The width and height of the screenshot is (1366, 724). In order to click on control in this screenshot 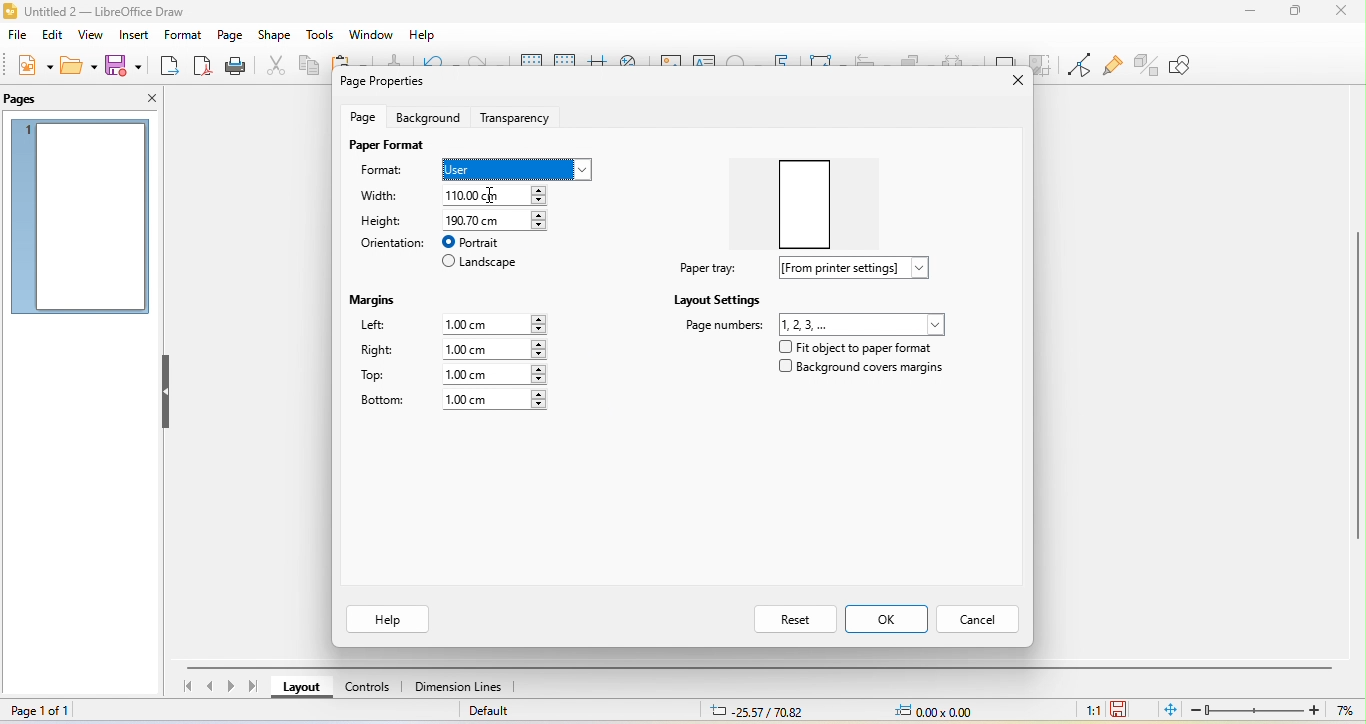, I will do `click(368, 690)`.